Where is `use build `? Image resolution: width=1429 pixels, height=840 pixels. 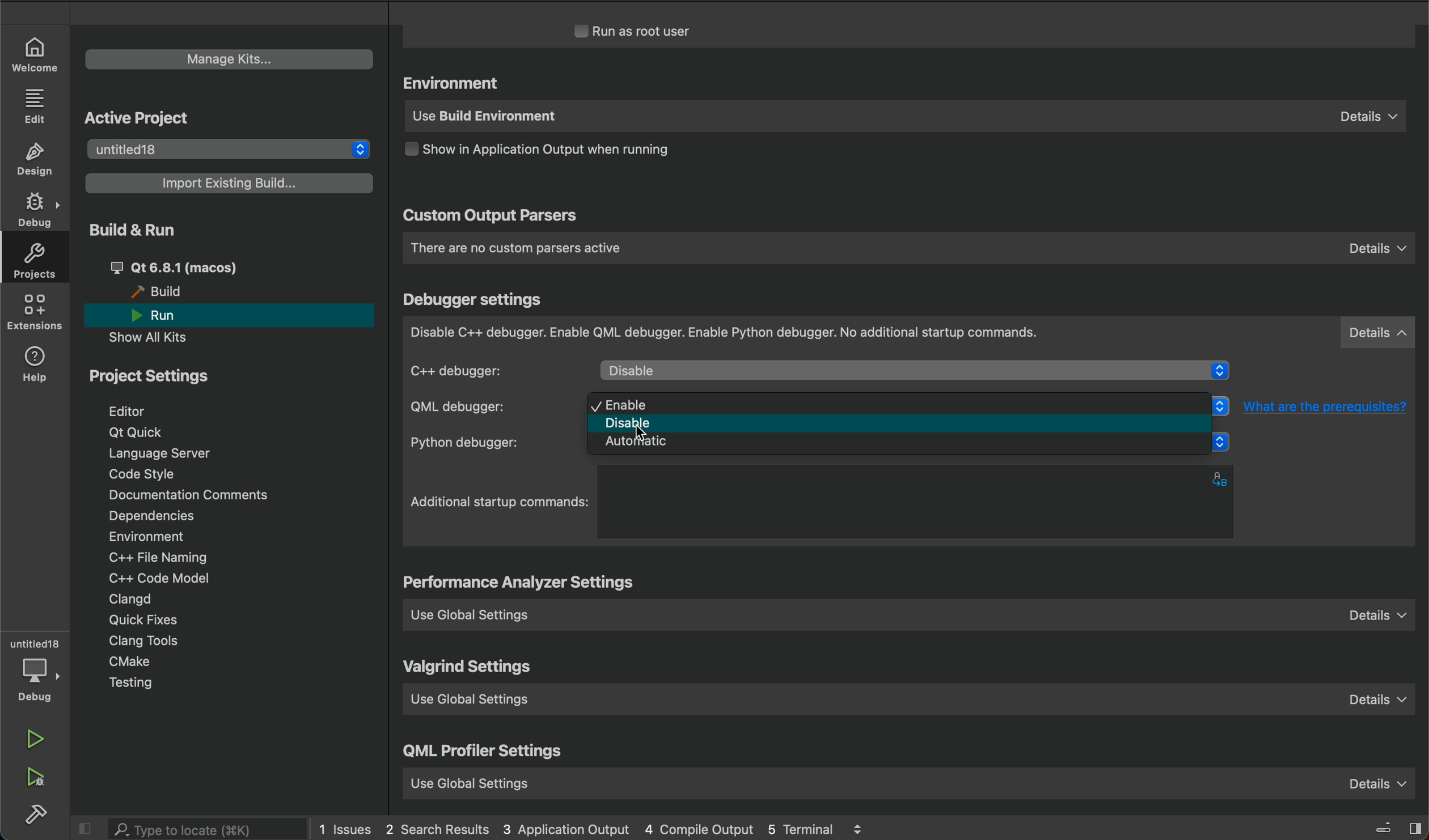 use build  is located at coordinates (902, 118).